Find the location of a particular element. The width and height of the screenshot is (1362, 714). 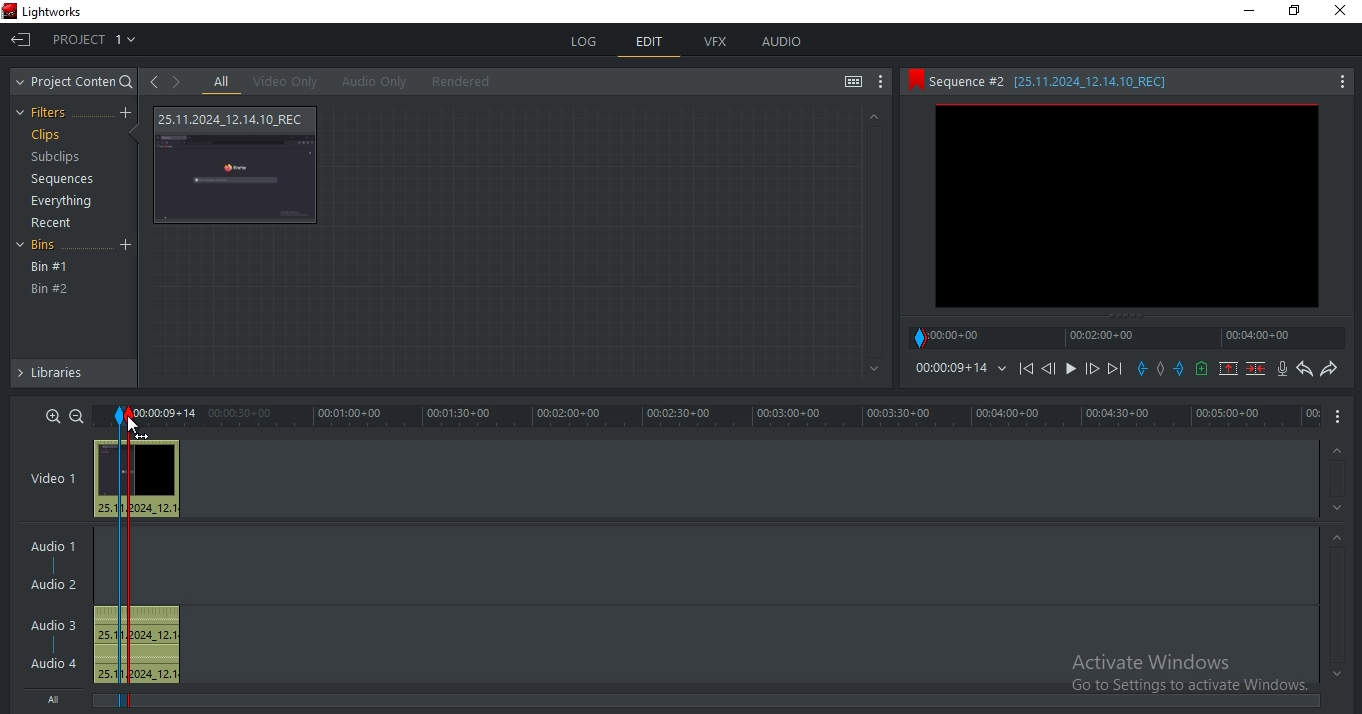

video 1 is located at coordinates (53, 476).